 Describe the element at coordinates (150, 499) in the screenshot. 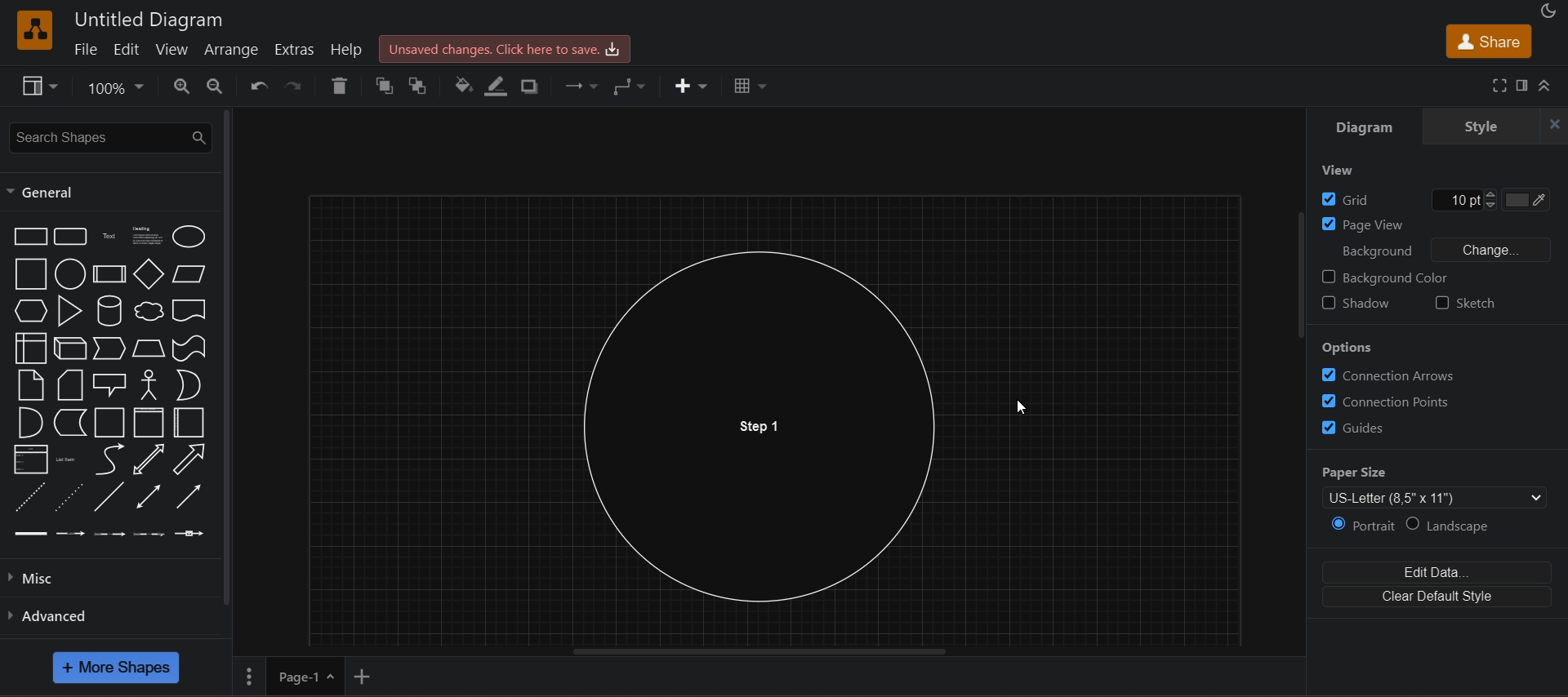

I see `bidirectional connector` at that location.